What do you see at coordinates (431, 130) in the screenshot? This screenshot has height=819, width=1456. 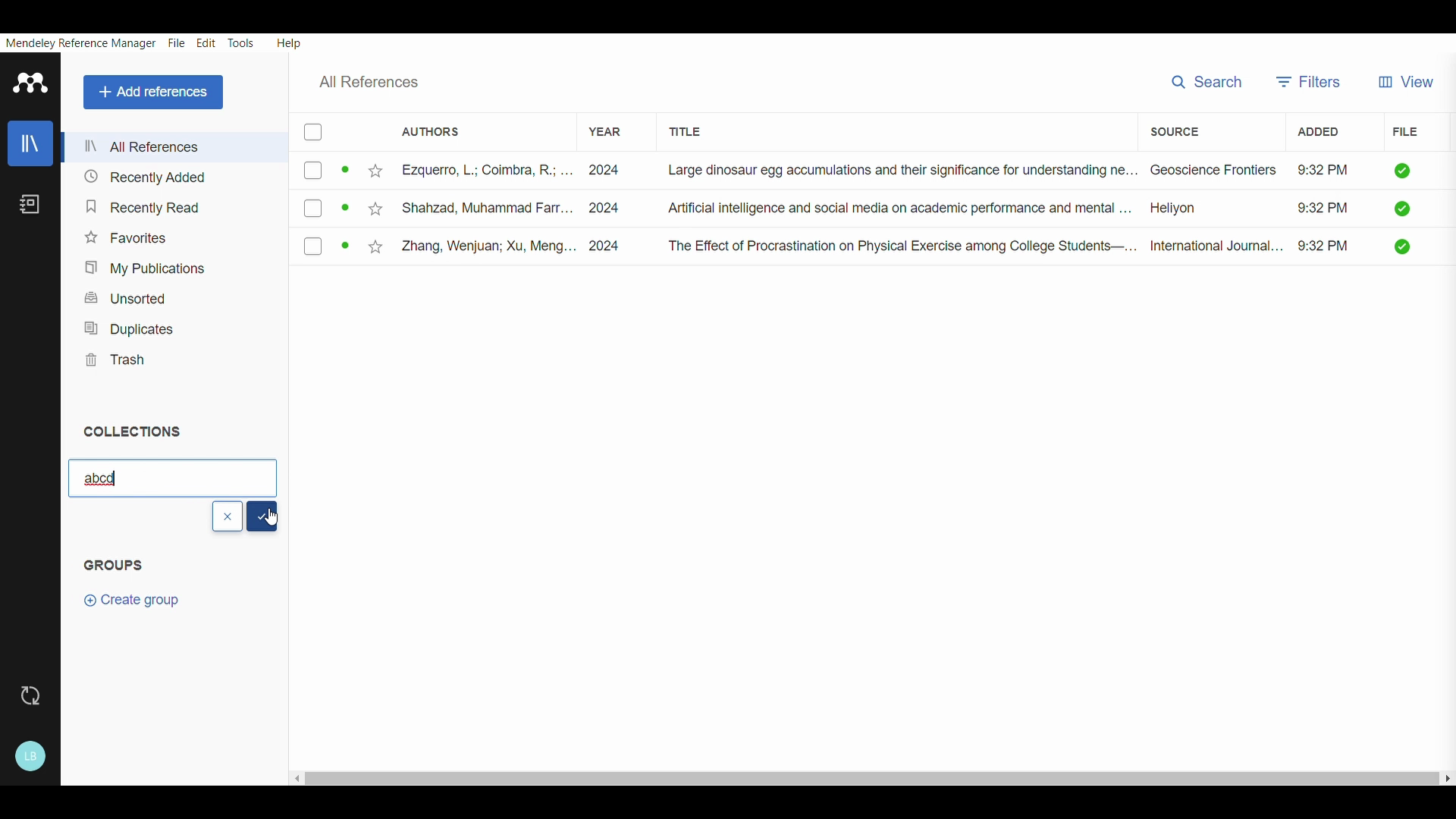 I see `Authors` at bounding box center [431, 130].